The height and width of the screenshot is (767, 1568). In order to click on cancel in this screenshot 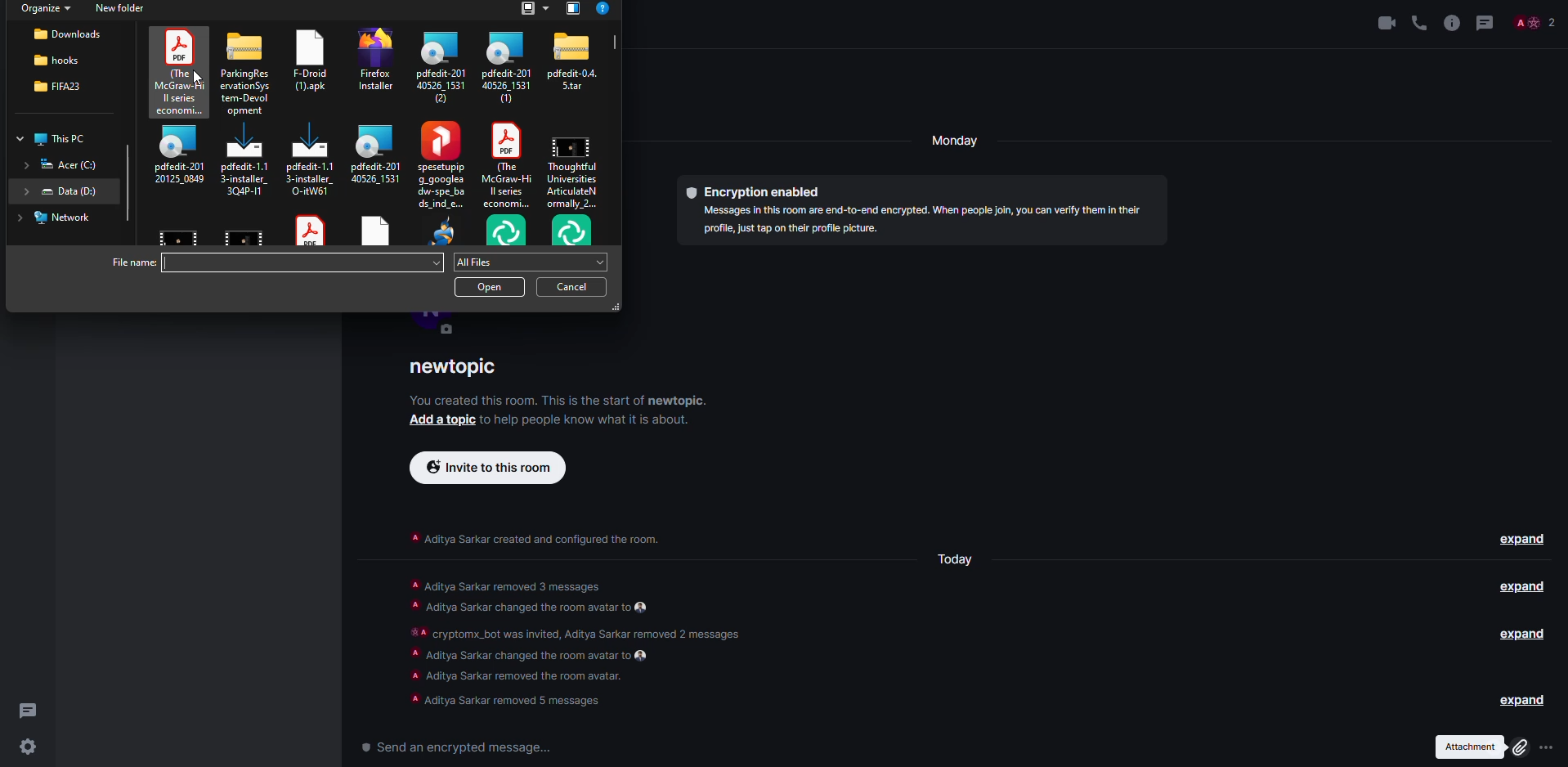, I will do `click(573, 286)`.